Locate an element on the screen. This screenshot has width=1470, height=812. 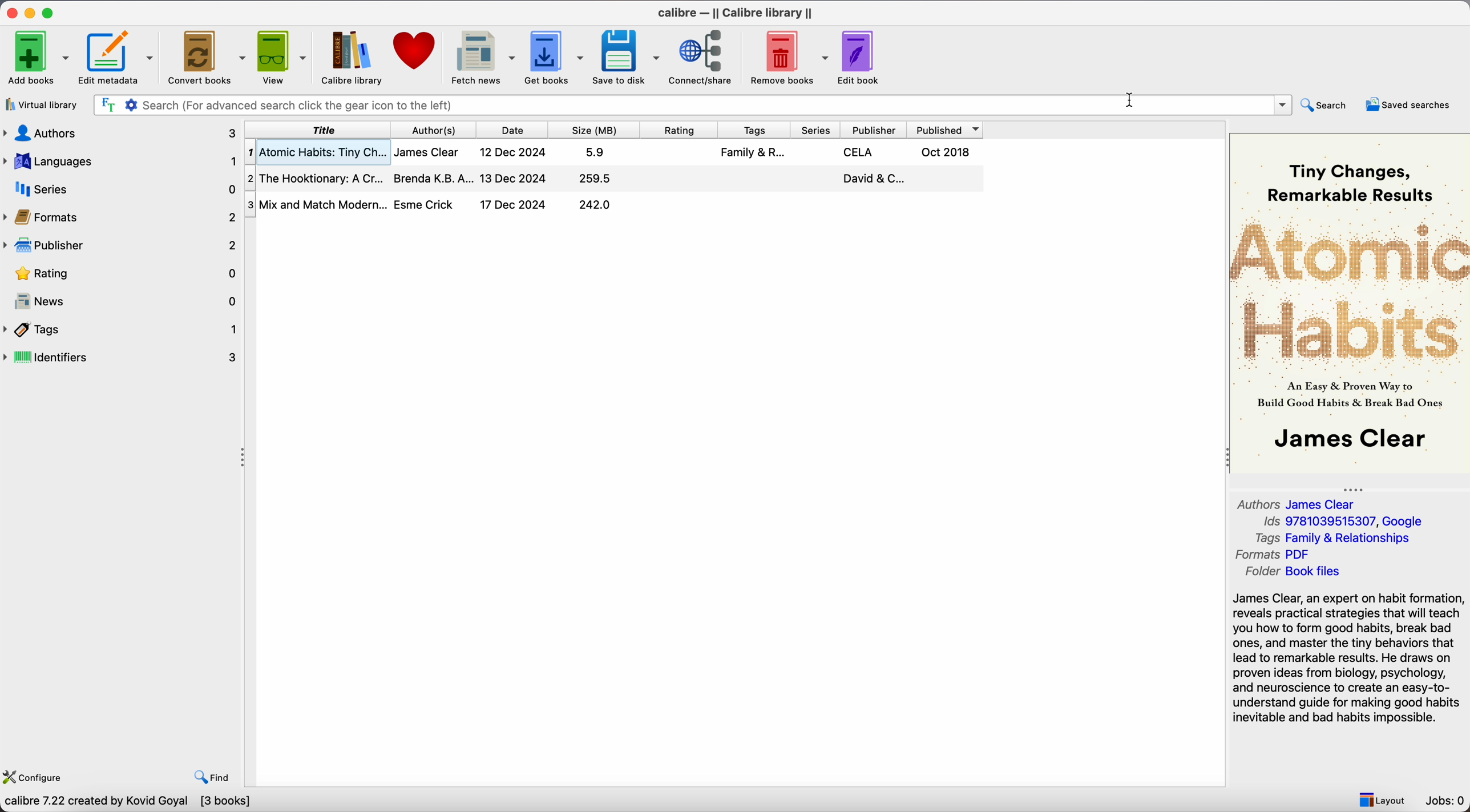
find is located at coordinates (215, 778).